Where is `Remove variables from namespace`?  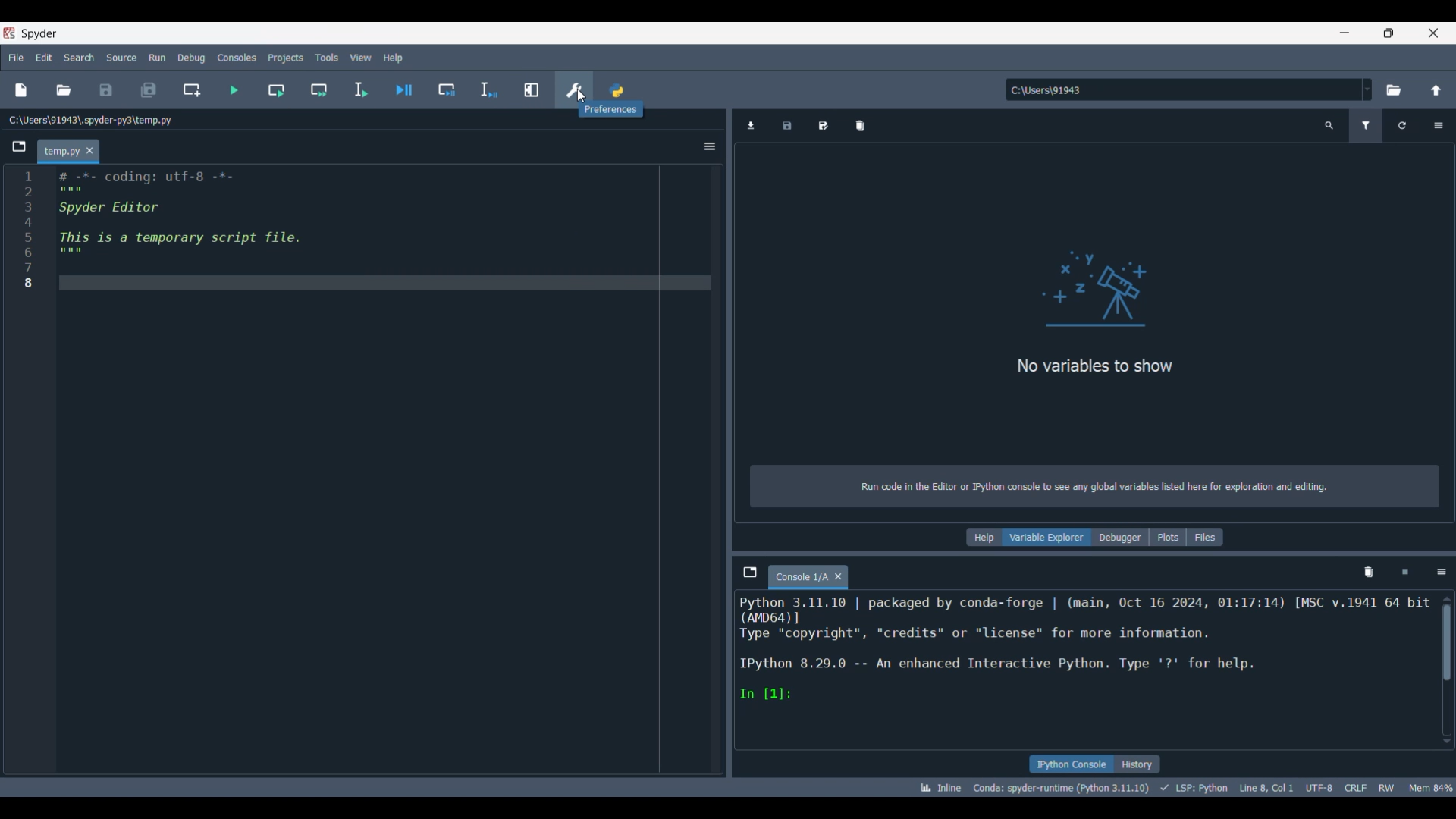 Remove variables from namespace is located at coordinates (1369, 573).